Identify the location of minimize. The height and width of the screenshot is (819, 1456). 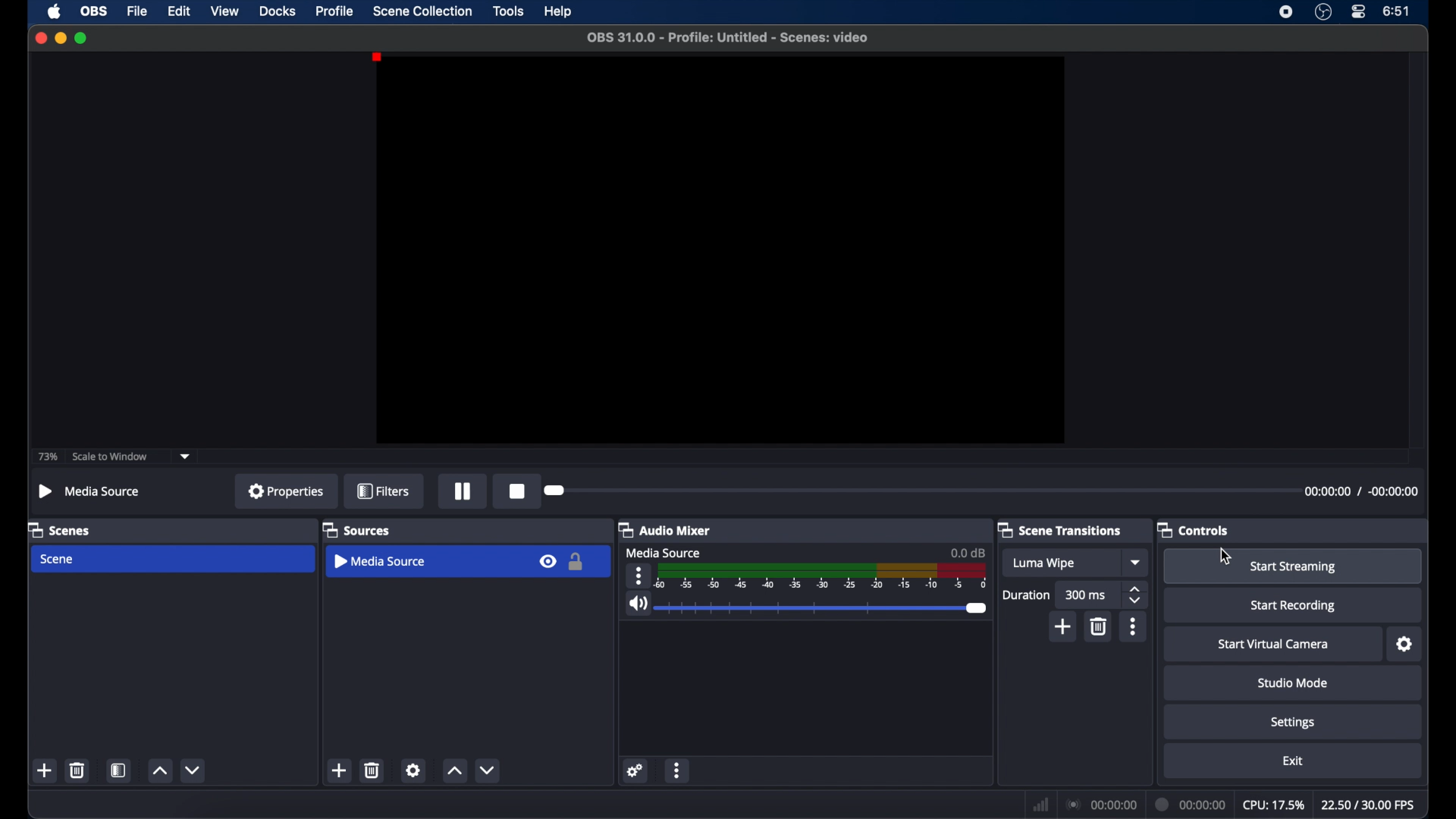
(60, 37).